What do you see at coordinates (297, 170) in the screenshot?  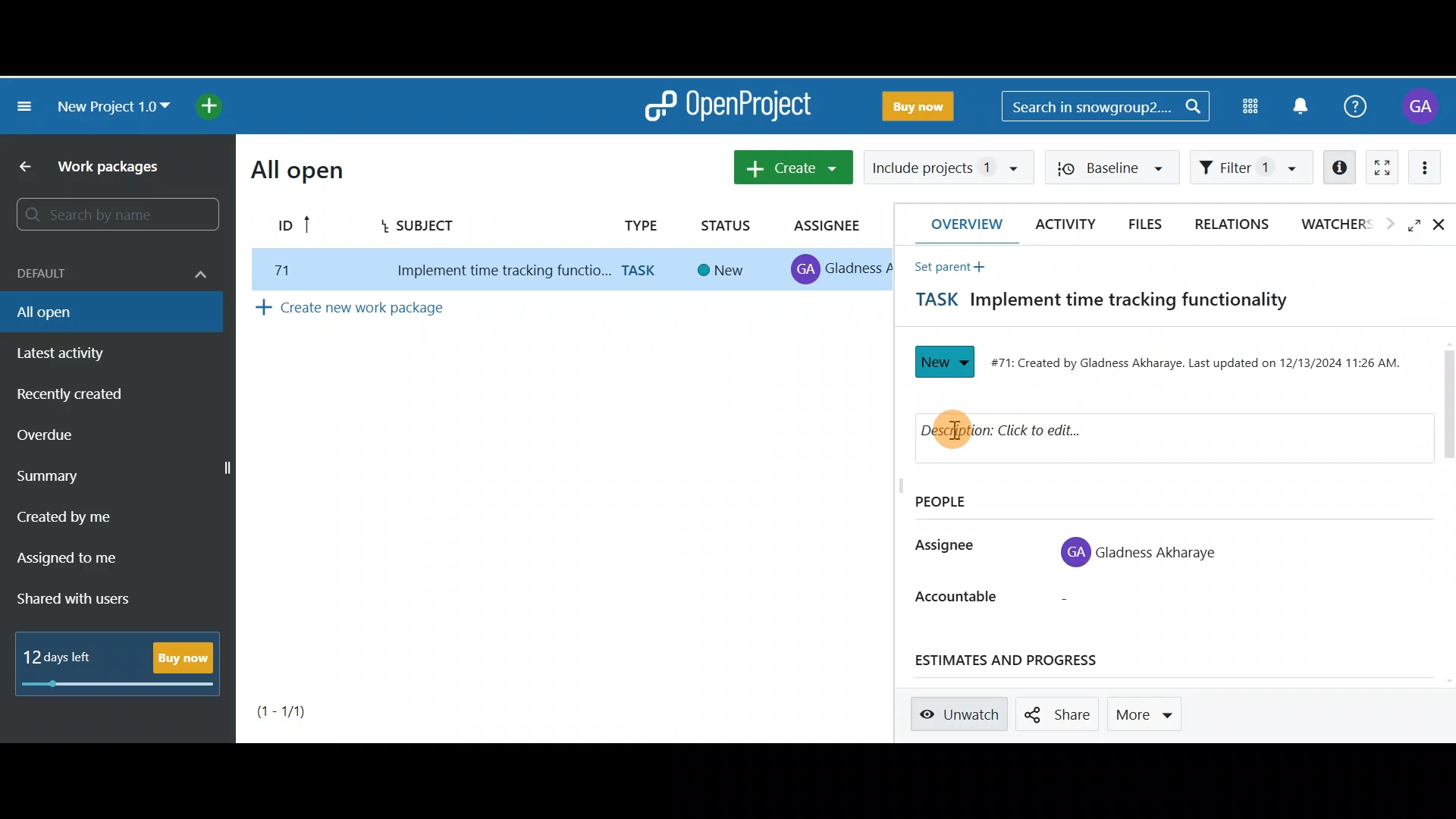 I see `All open` at bounding box center [297, 170].